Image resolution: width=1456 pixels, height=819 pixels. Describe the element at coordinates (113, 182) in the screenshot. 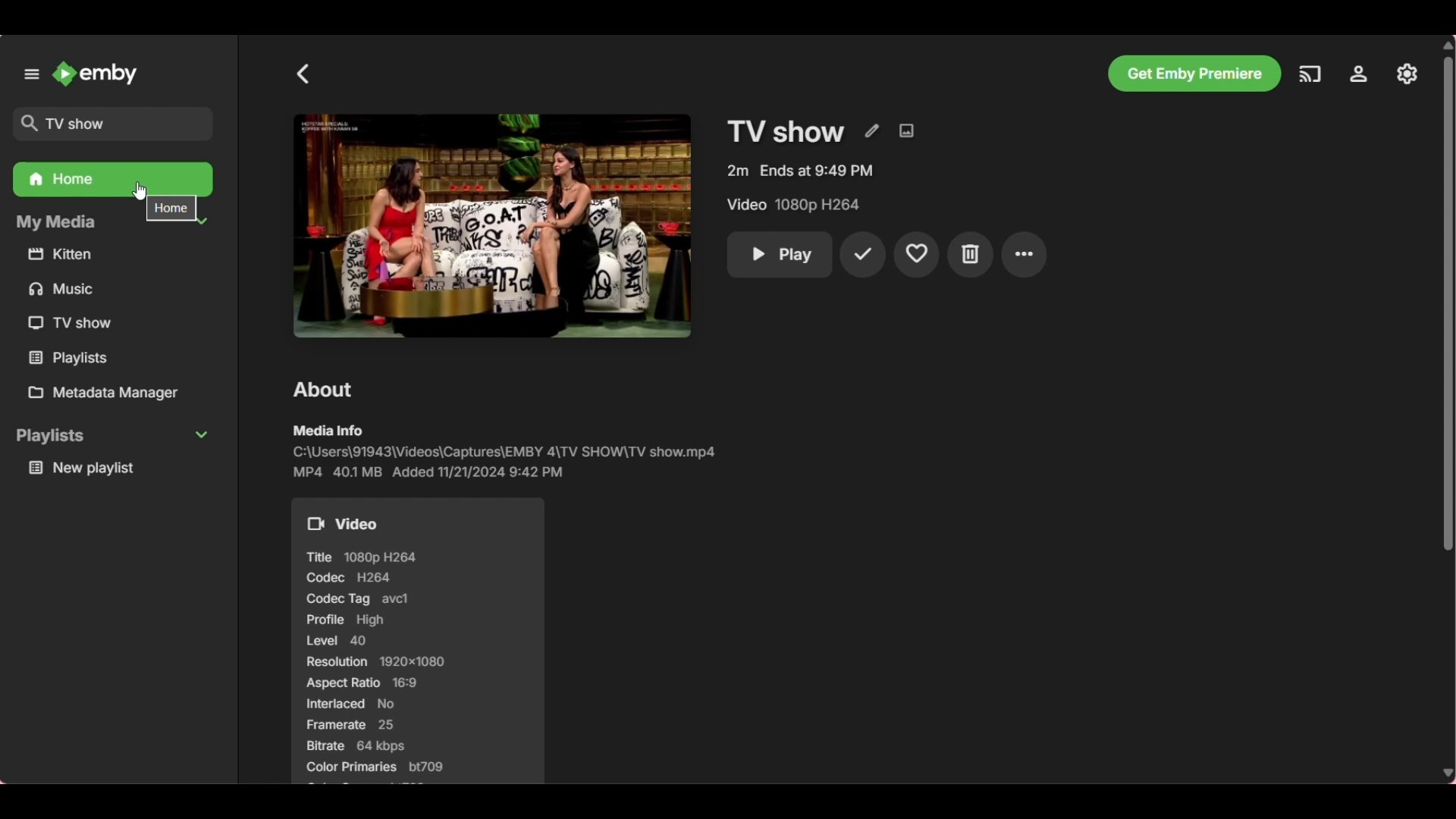

I see `Home` at that location.